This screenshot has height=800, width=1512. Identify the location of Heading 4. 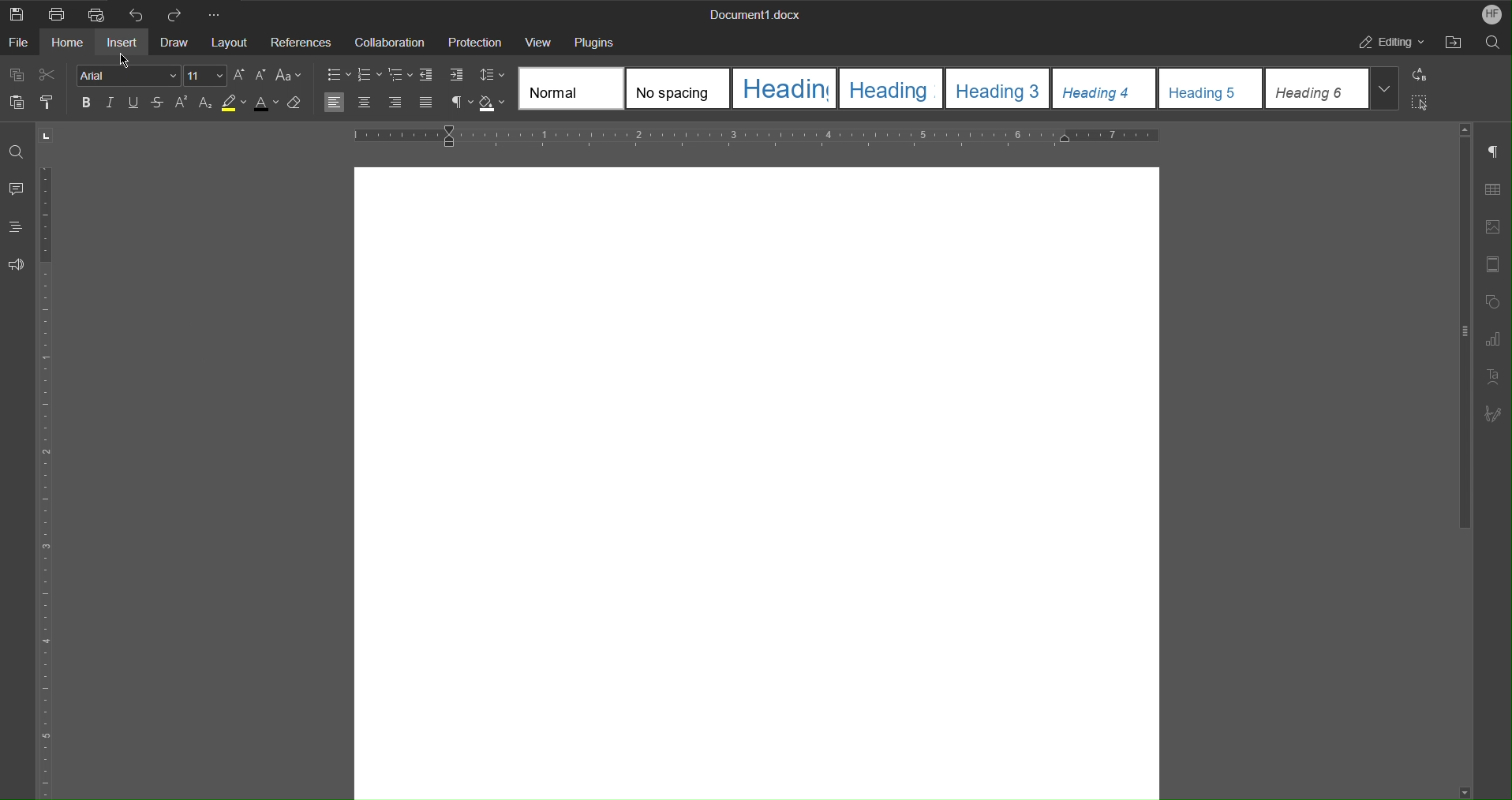
(1106, 88).